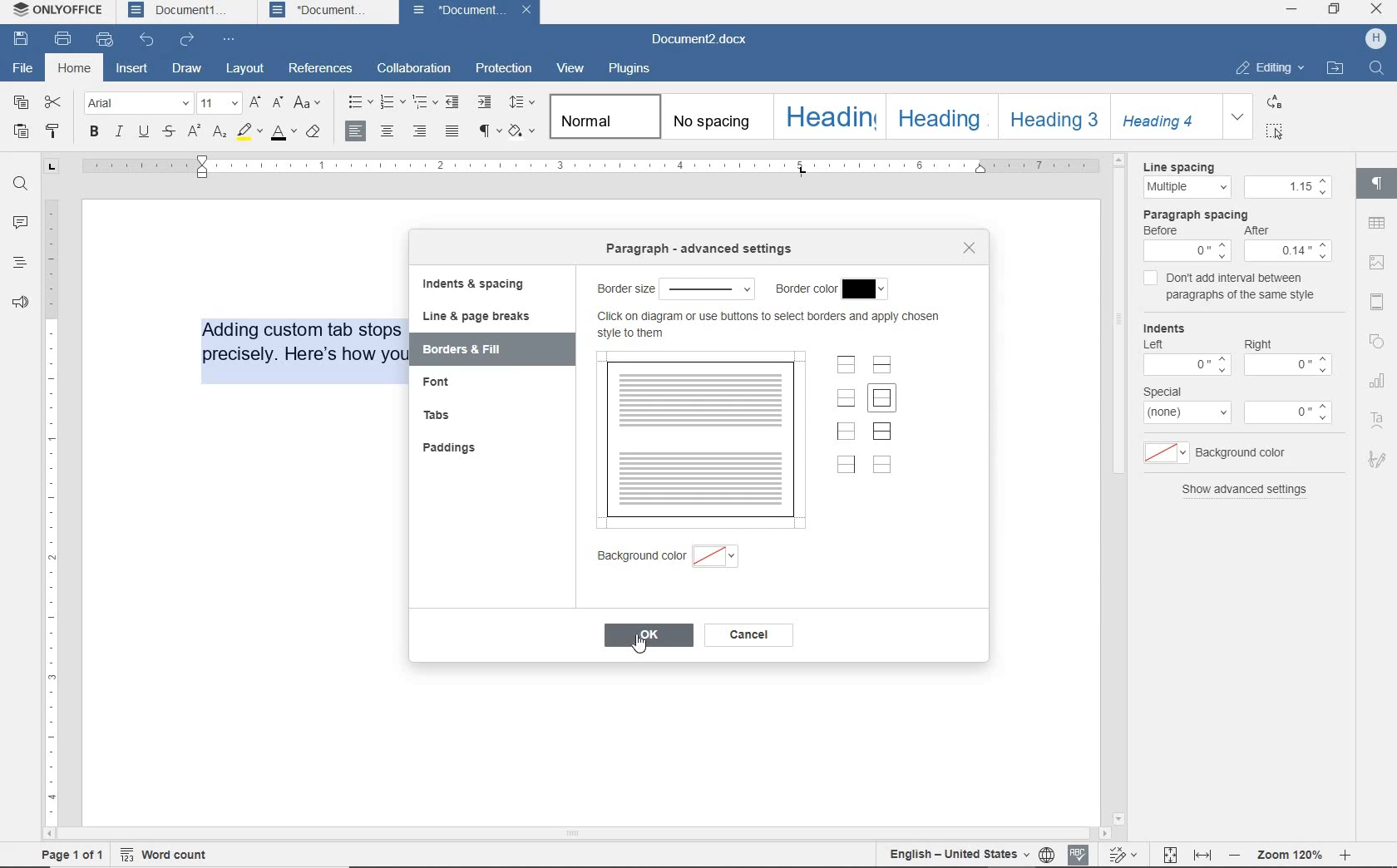  I want to click on paragraph - advanced settings, so click(673, 289).